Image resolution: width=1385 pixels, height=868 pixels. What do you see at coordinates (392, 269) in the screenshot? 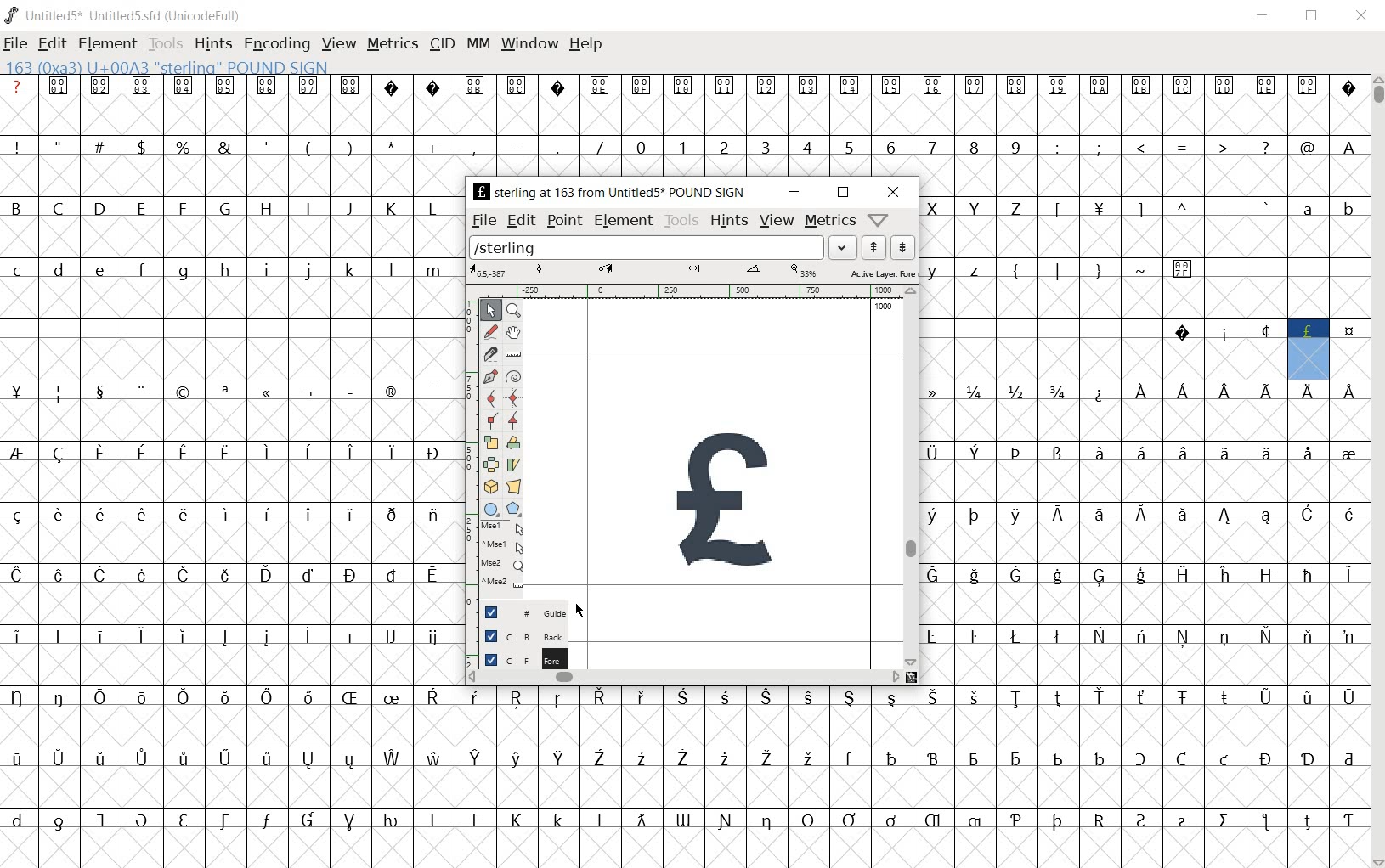
I see `l` at bounding box center [392, 269].